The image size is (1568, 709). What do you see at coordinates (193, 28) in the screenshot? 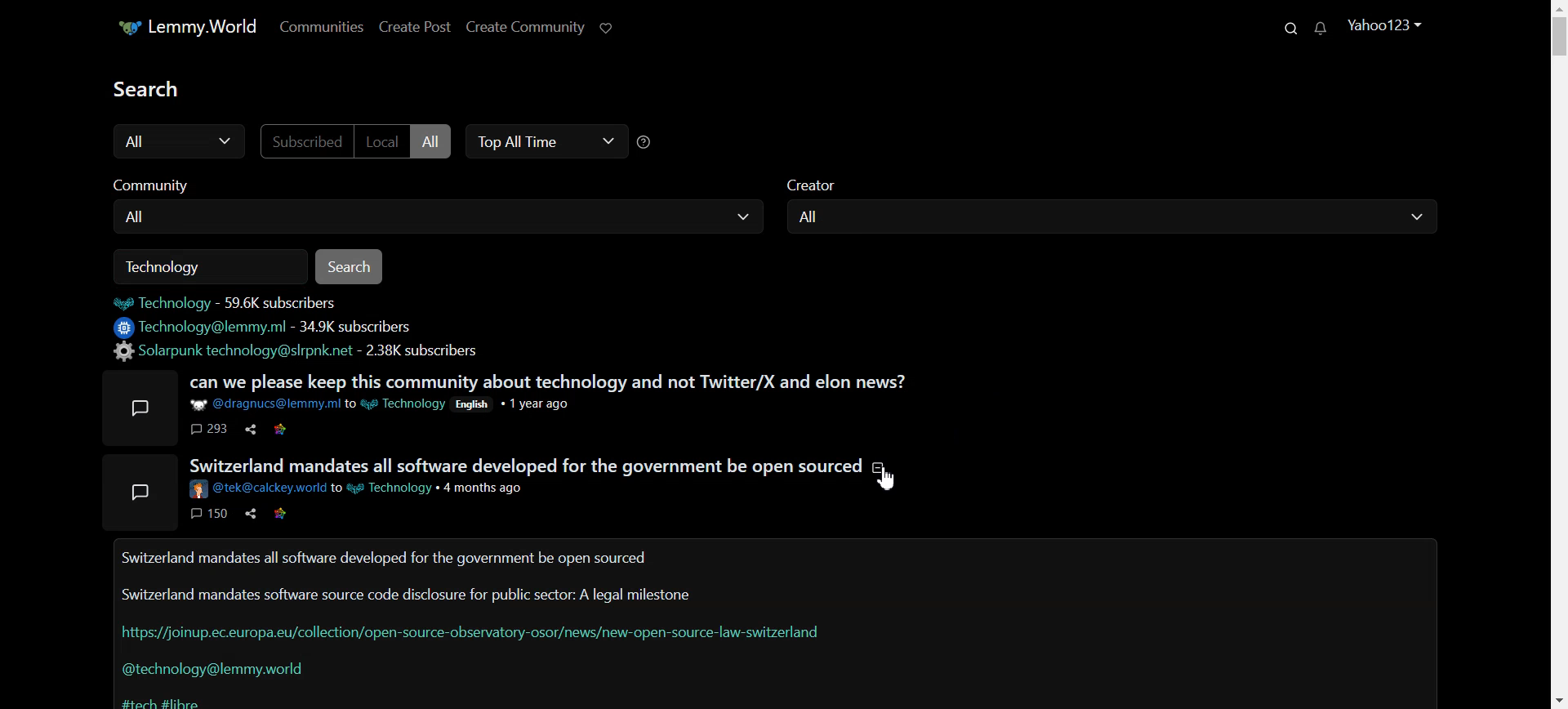
I see `Home Page` at bounding box center [193, 28].